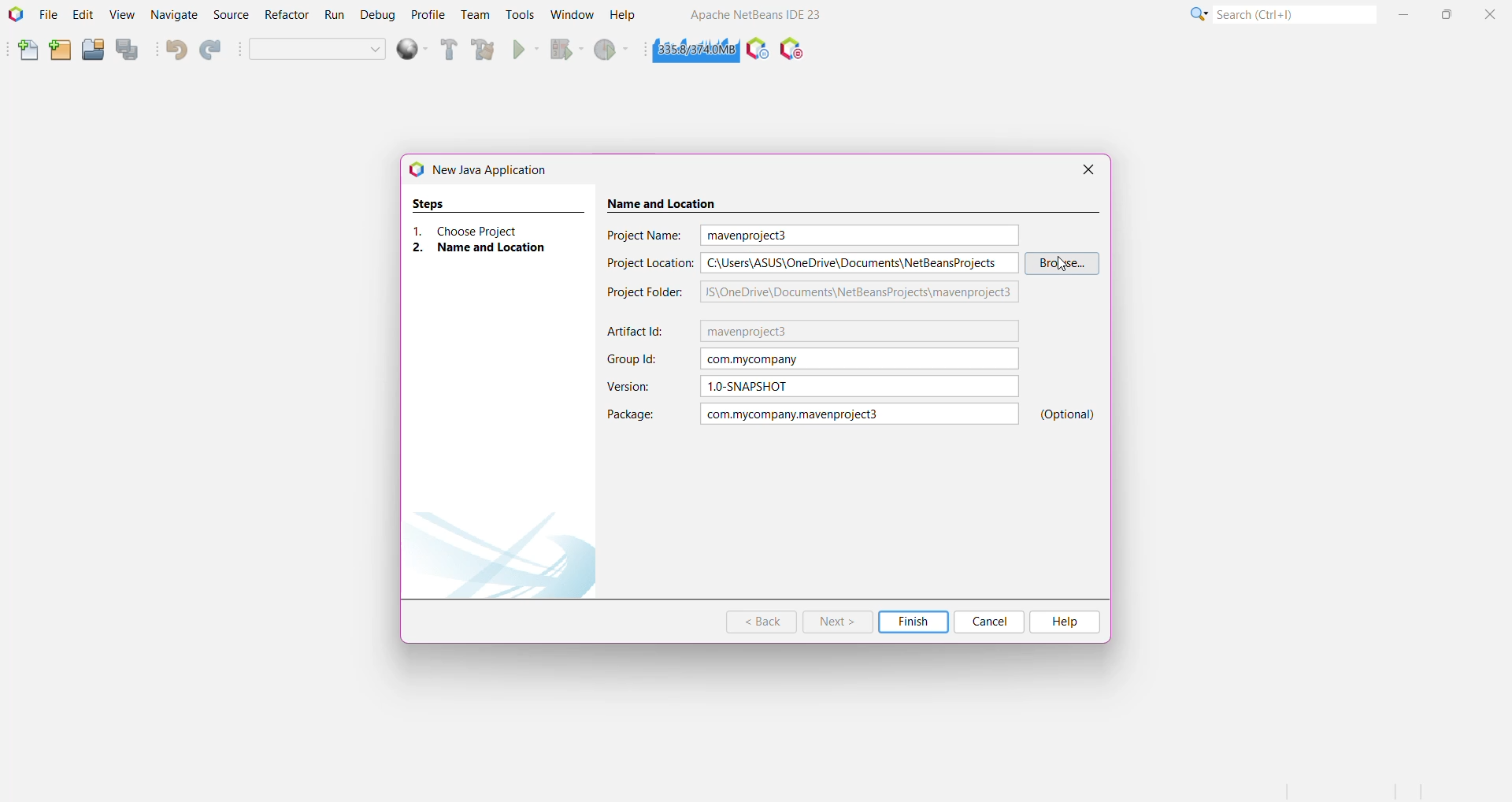 This screenshot has width=1512, height=802. Describe the element at coordinates (861, 263) in the screenshot. I see `Set Project Location (Default)` at that location.